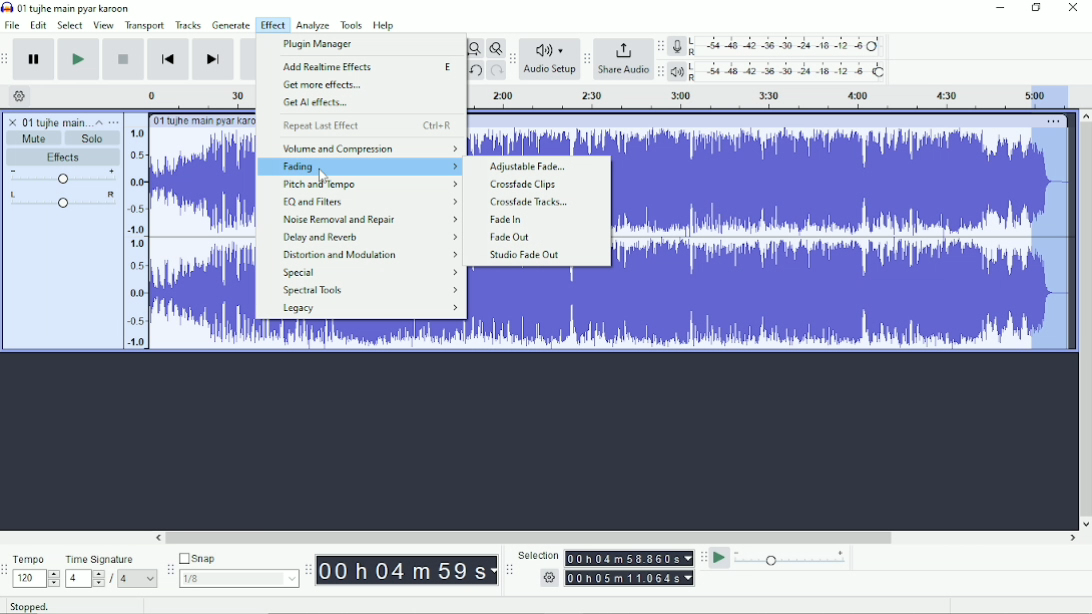  I want to click on /, so click(112, 579).